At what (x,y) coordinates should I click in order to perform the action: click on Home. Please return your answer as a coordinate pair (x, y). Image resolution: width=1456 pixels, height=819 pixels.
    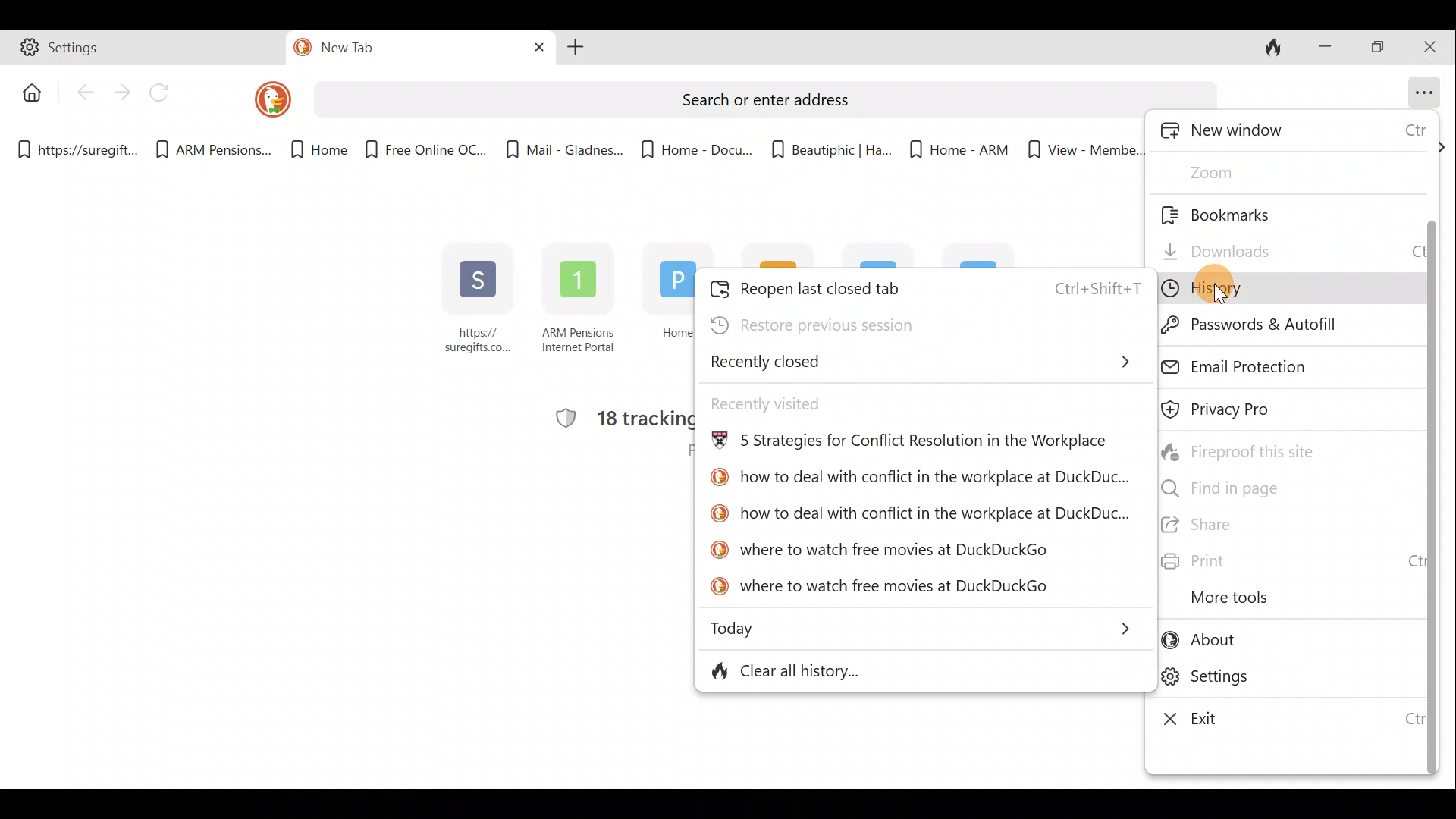
    Looking at the image, I should click on (310, 150).